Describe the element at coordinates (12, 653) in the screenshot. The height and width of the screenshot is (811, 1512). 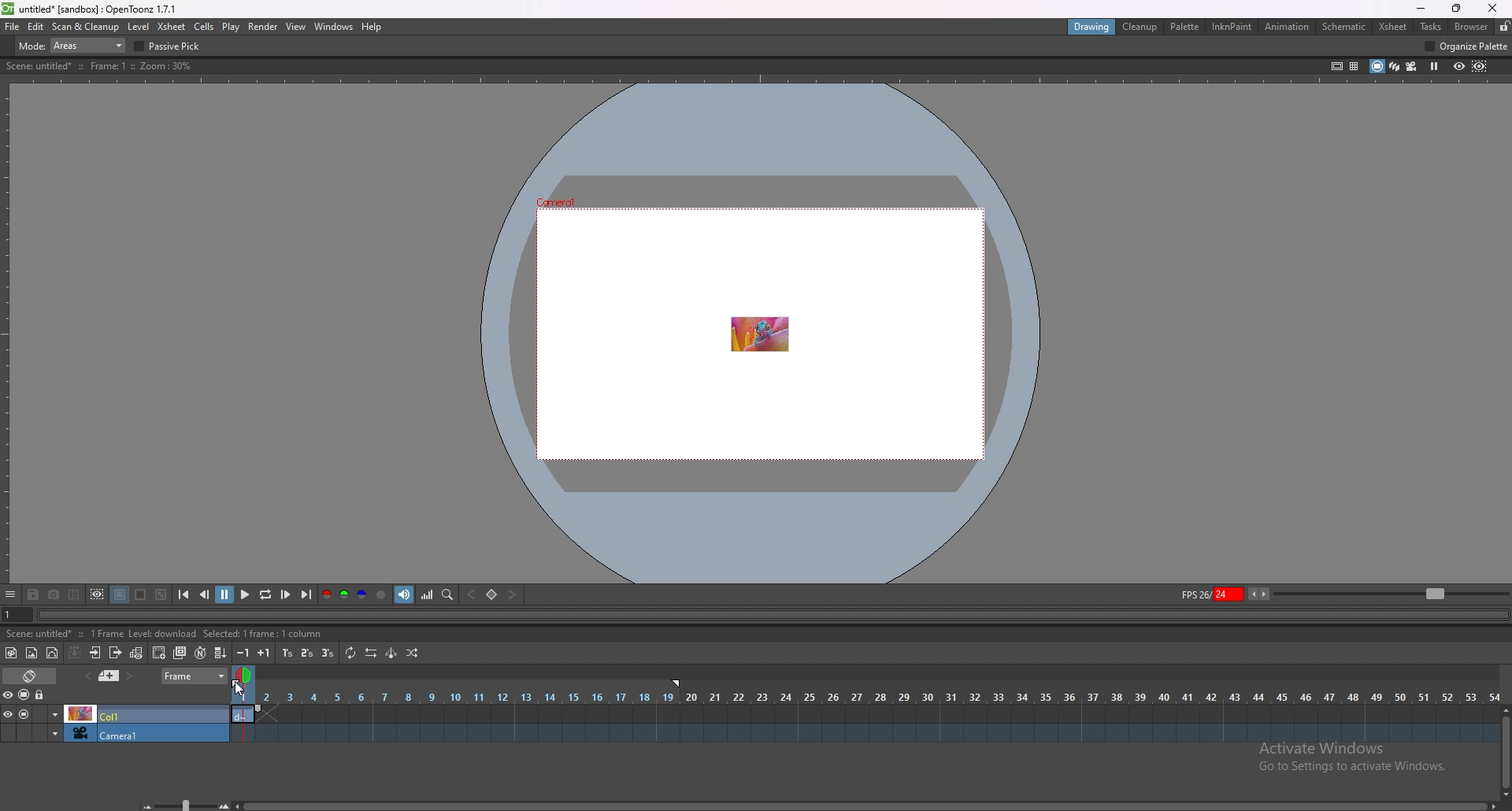
I see `new toonz raster level` at that location.